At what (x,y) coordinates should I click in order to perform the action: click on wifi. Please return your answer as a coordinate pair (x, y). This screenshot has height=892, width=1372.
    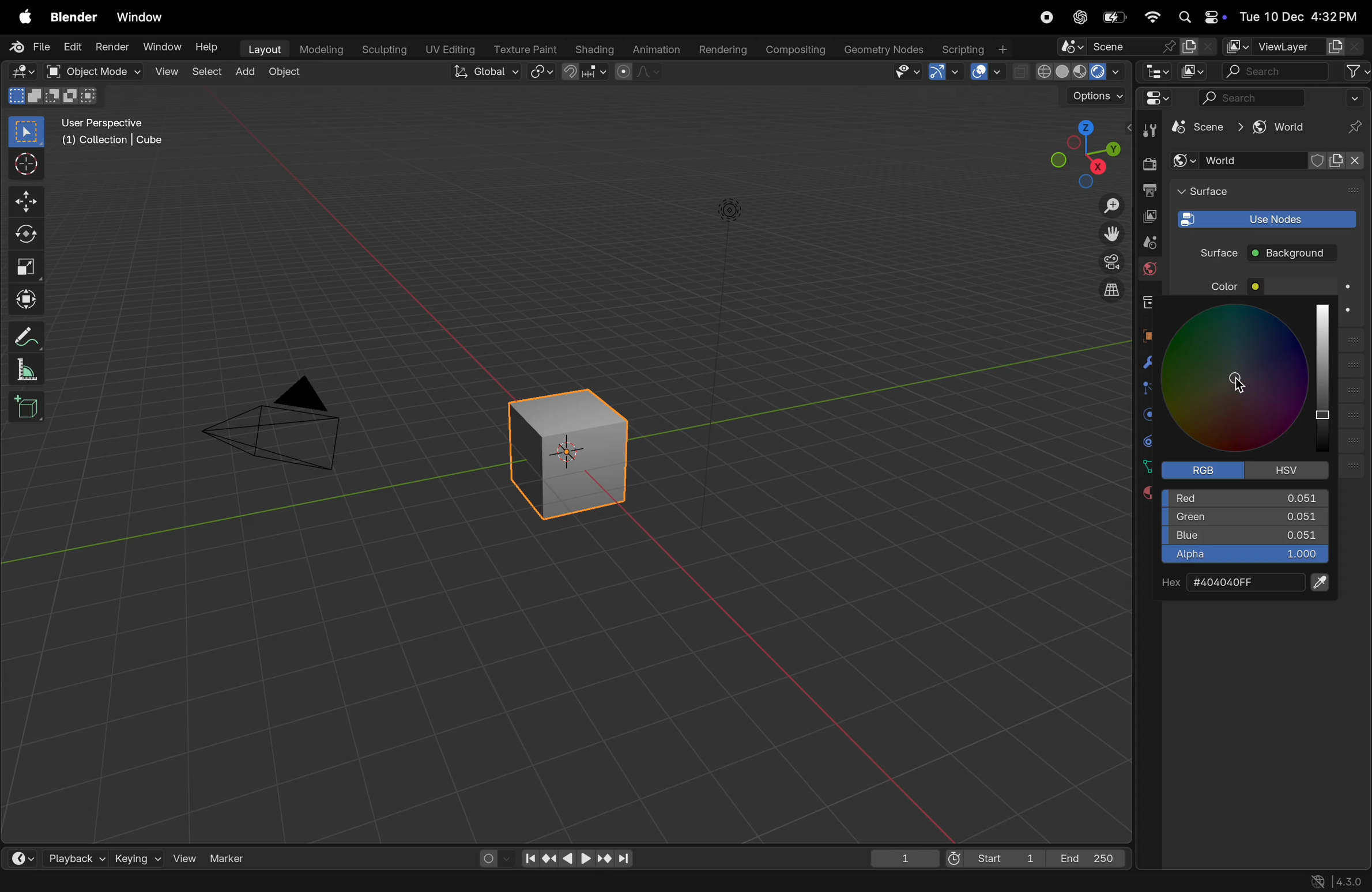
    Looking at the image, I should click on (1152, 17).